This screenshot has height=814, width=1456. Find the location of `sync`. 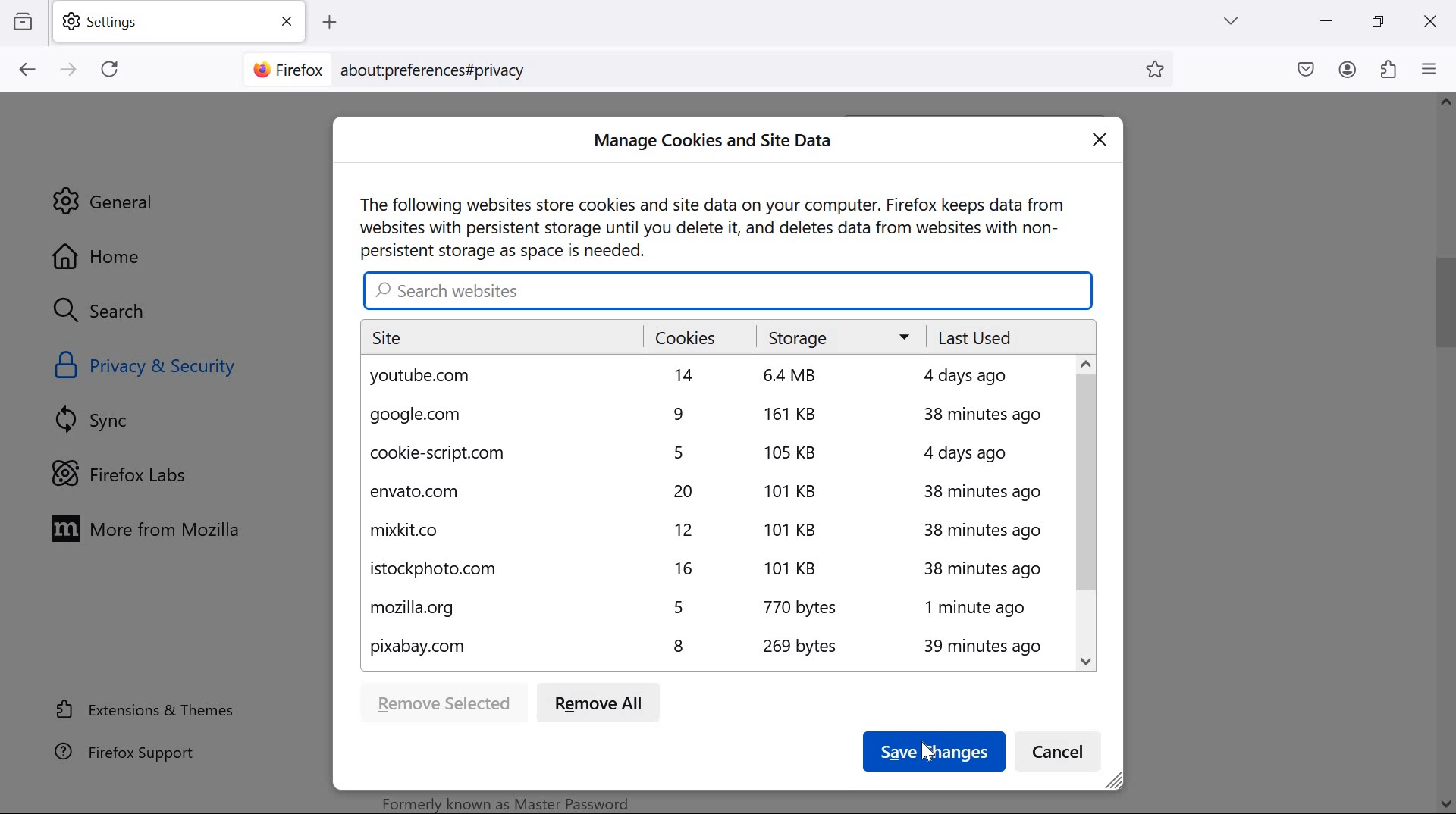

sync is located at coordinates (99, 419).